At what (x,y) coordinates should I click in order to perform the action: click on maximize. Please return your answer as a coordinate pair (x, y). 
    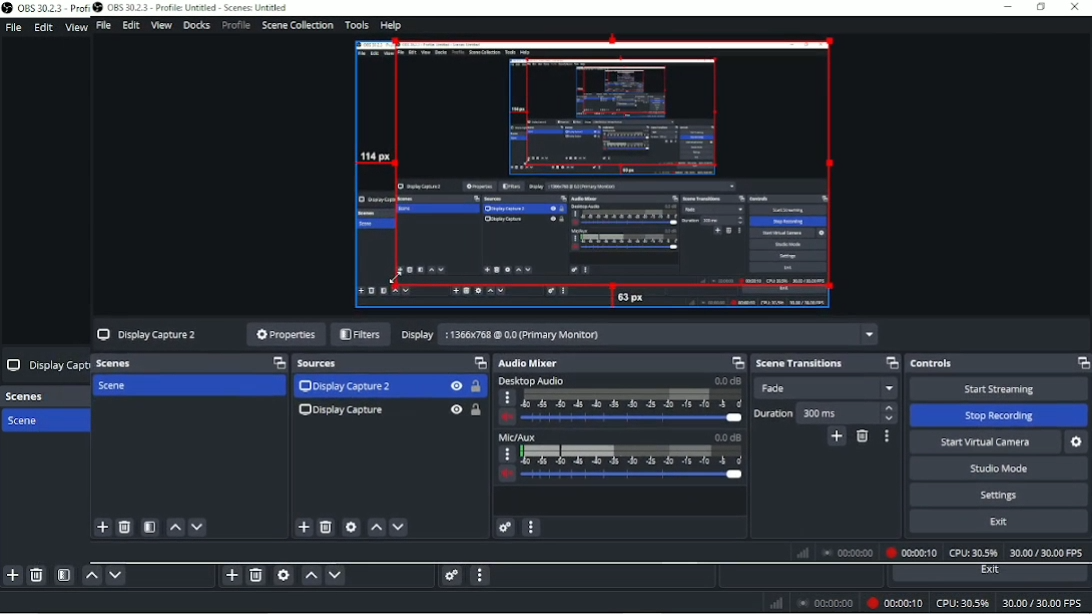
    Looking at the image, I should click on (737, 364).